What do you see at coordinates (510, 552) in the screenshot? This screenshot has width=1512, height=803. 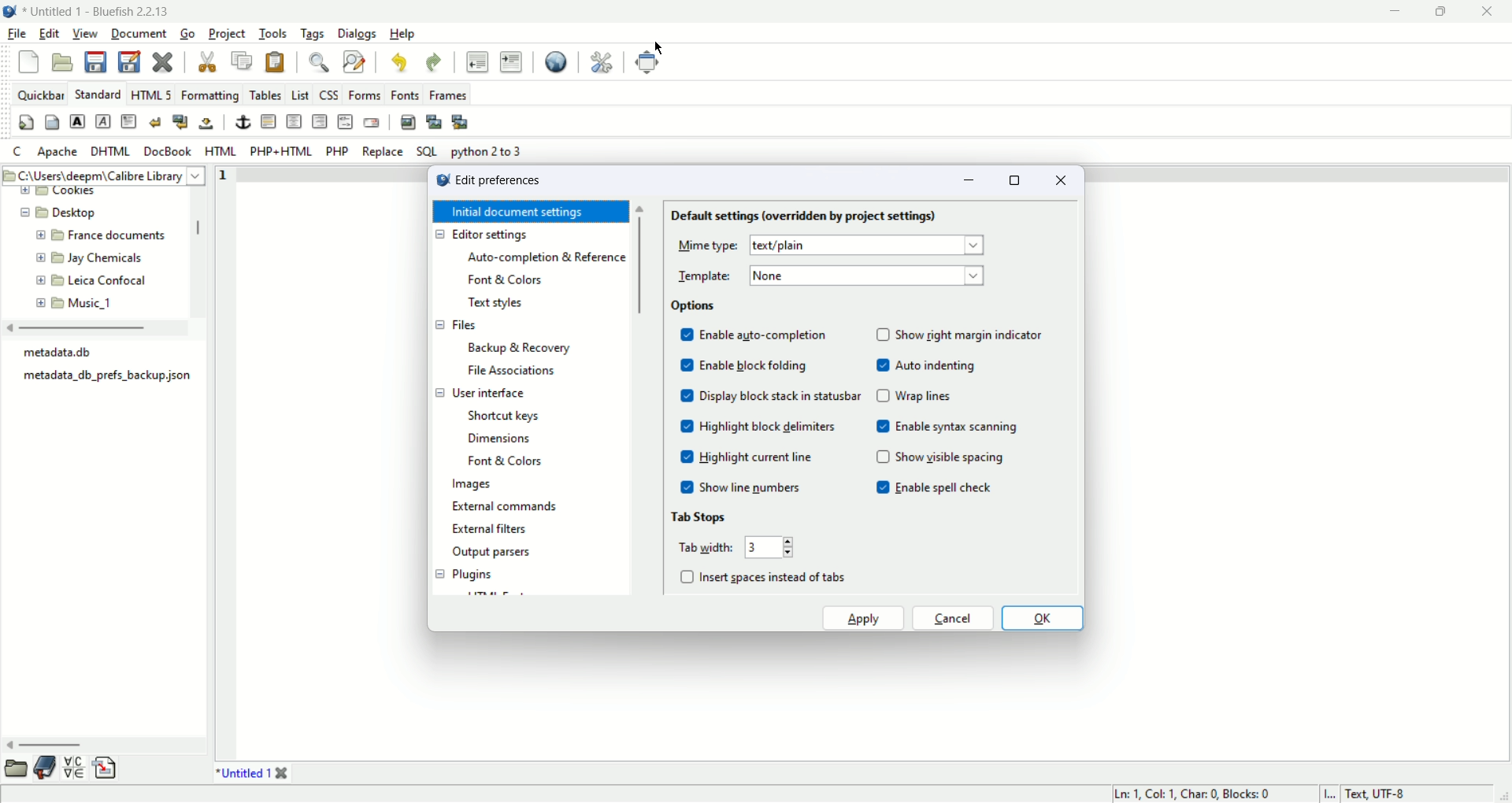 I see `output parsers` at bounding box center [510, 552].